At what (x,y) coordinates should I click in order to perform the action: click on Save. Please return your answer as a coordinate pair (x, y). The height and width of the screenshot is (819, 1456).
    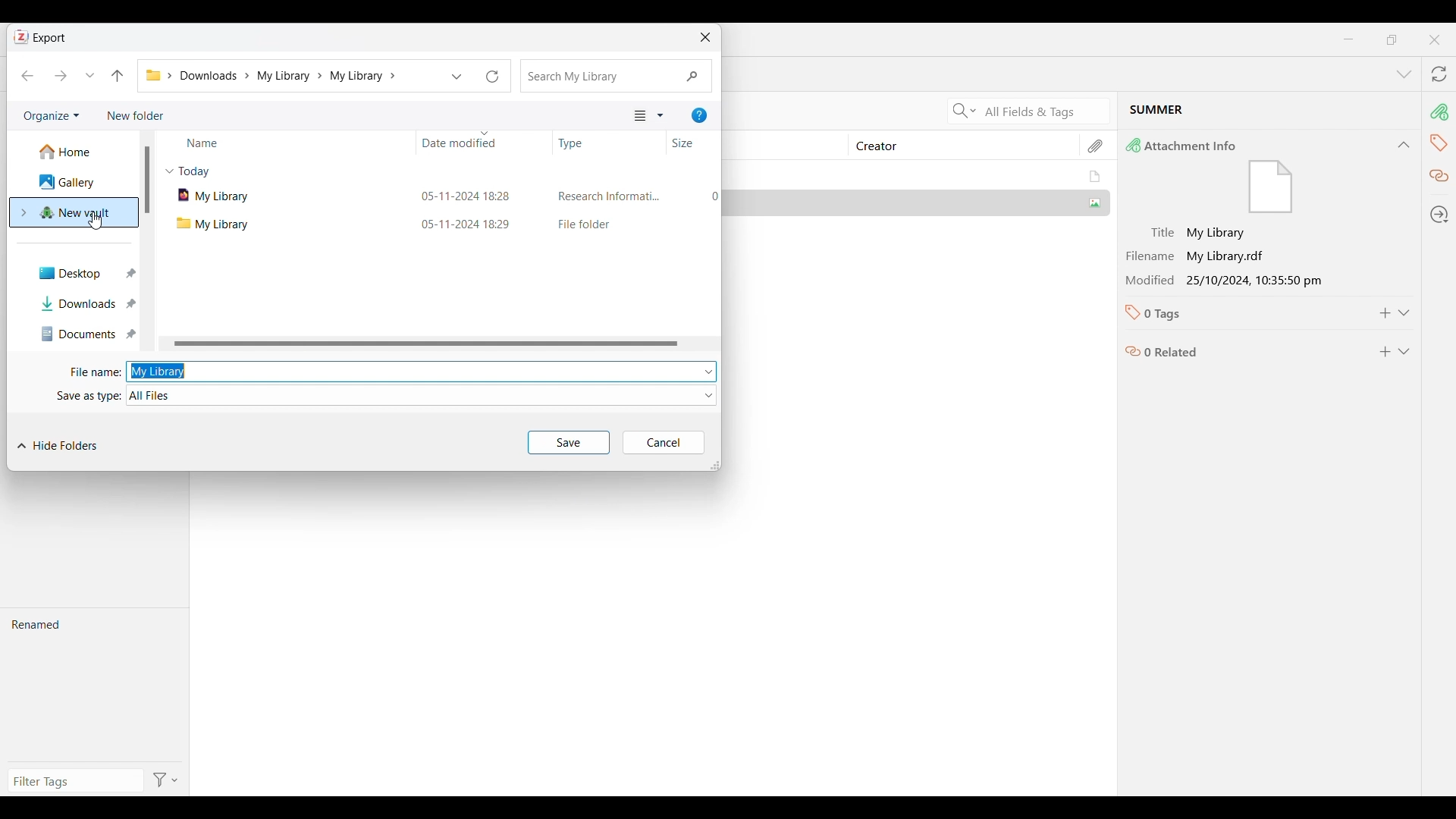
    Looking at the image, I should click on (569, 442).